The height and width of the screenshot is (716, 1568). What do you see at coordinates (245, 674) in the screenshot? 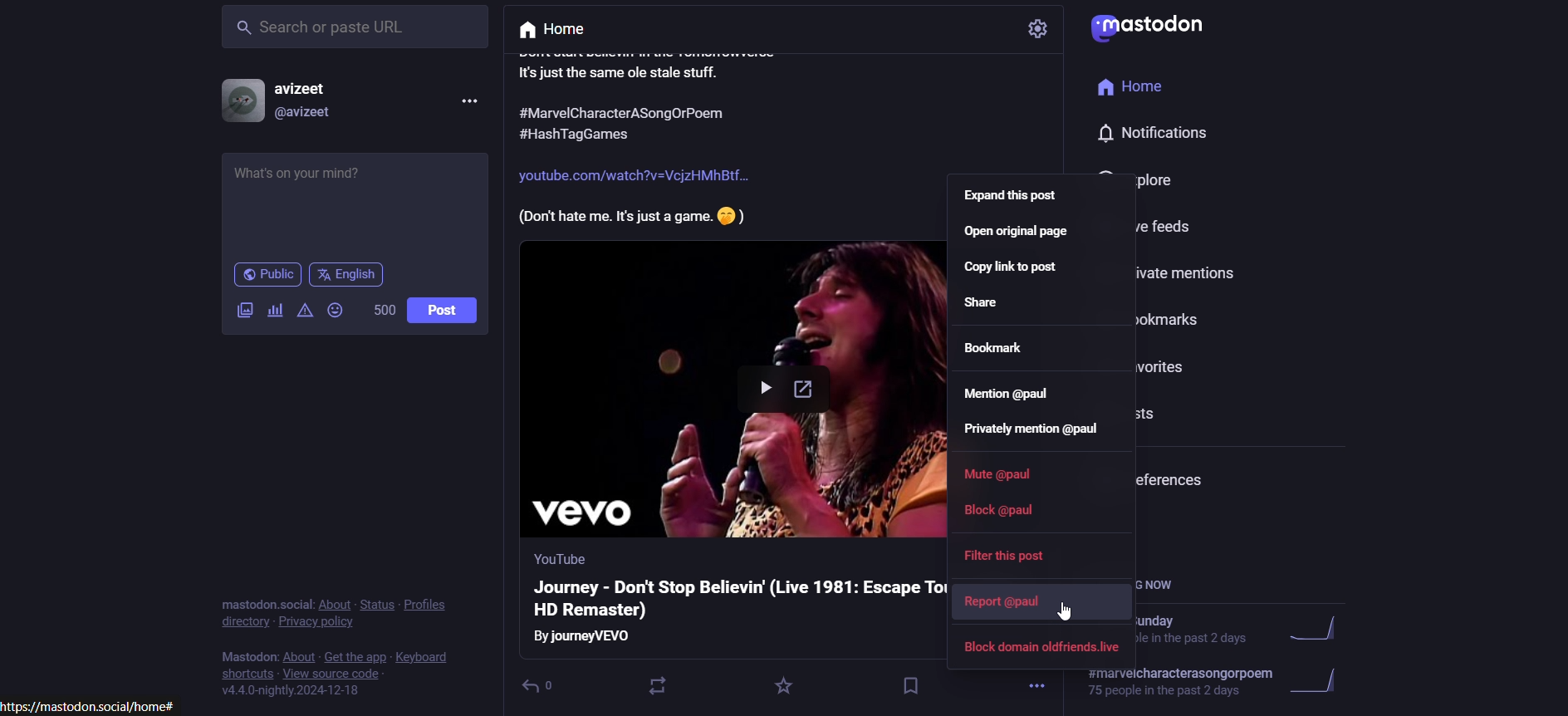
I see `shortcuts` at bounding box center [245, 674].